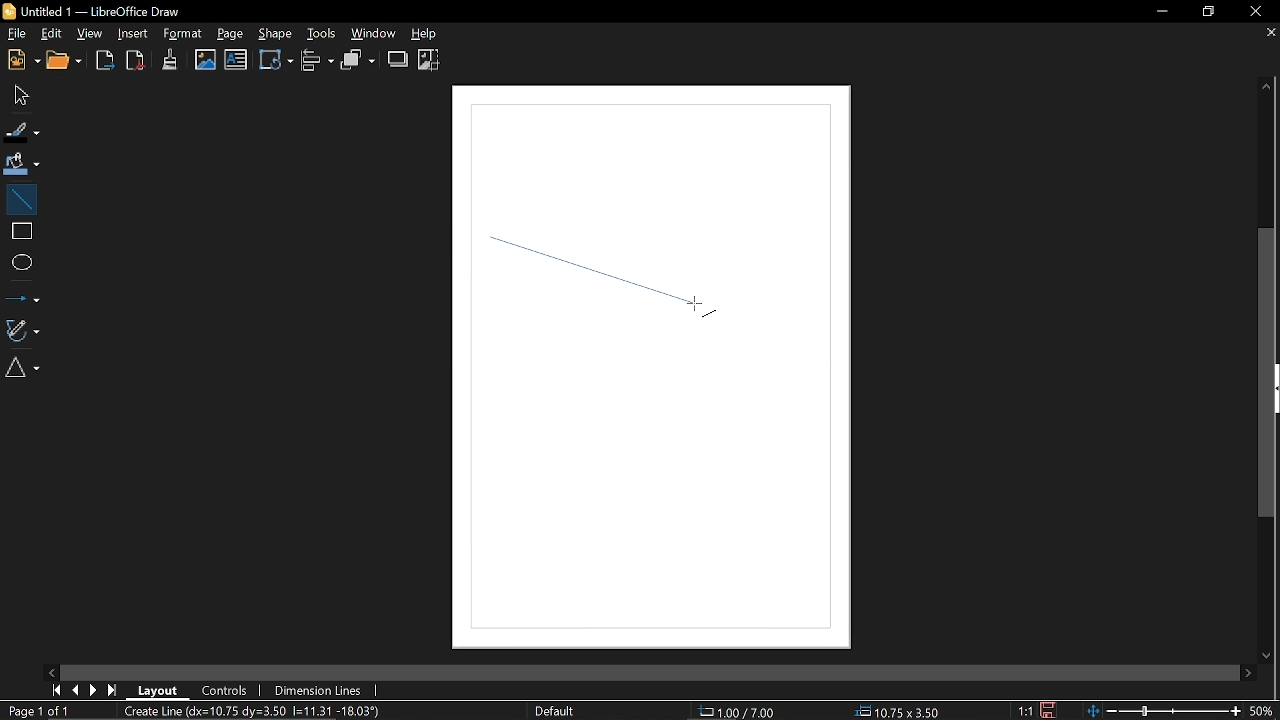 The width and height of the screenshot is (1280, 720). What do you see at coordinates (20, 231) in the screenshot?
I see `rectangle` at bounding box center [20, 231].